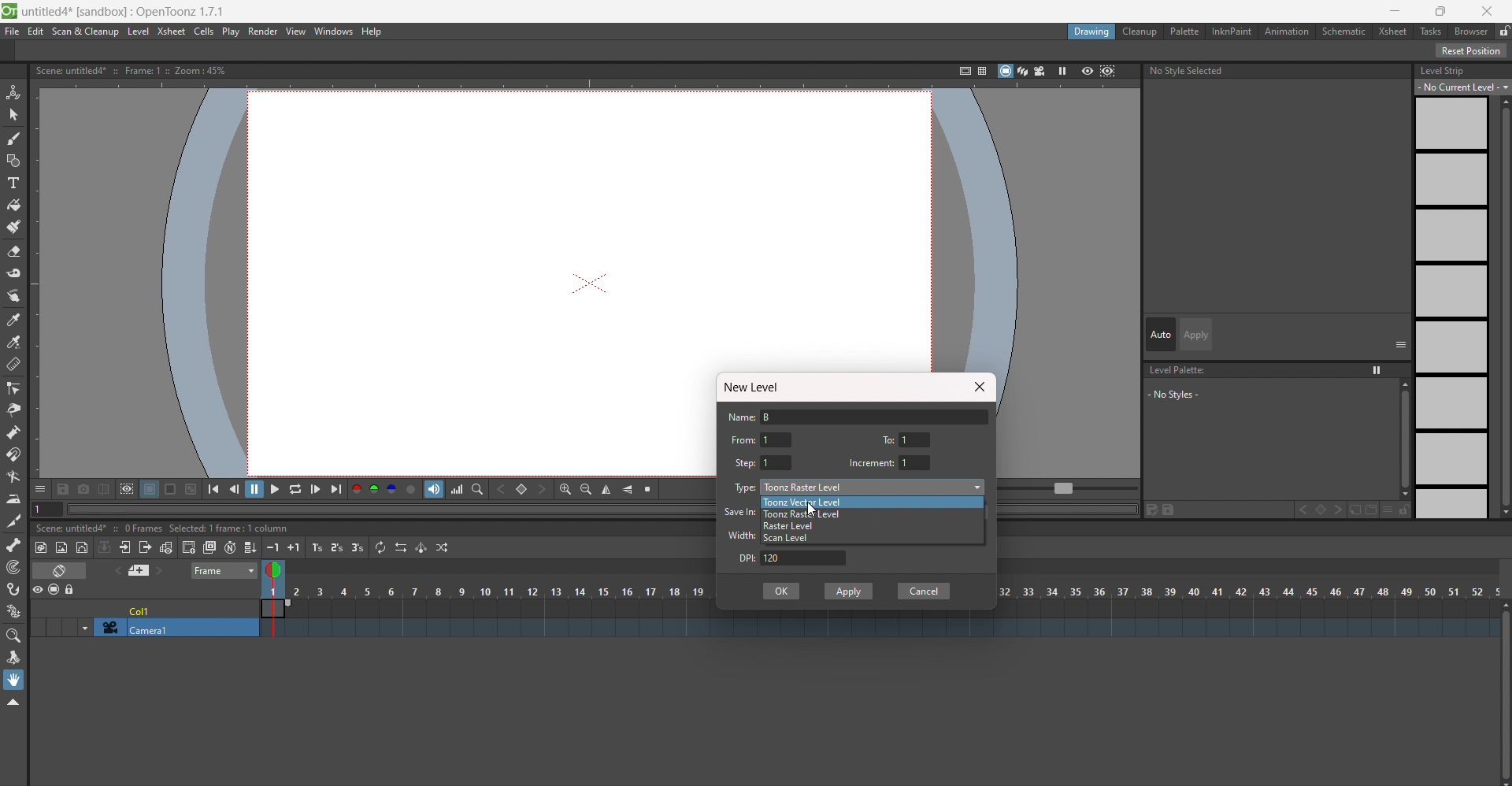 This screenshot has height=786, width=1512. I want to click on hand tool, so click(14, 680).